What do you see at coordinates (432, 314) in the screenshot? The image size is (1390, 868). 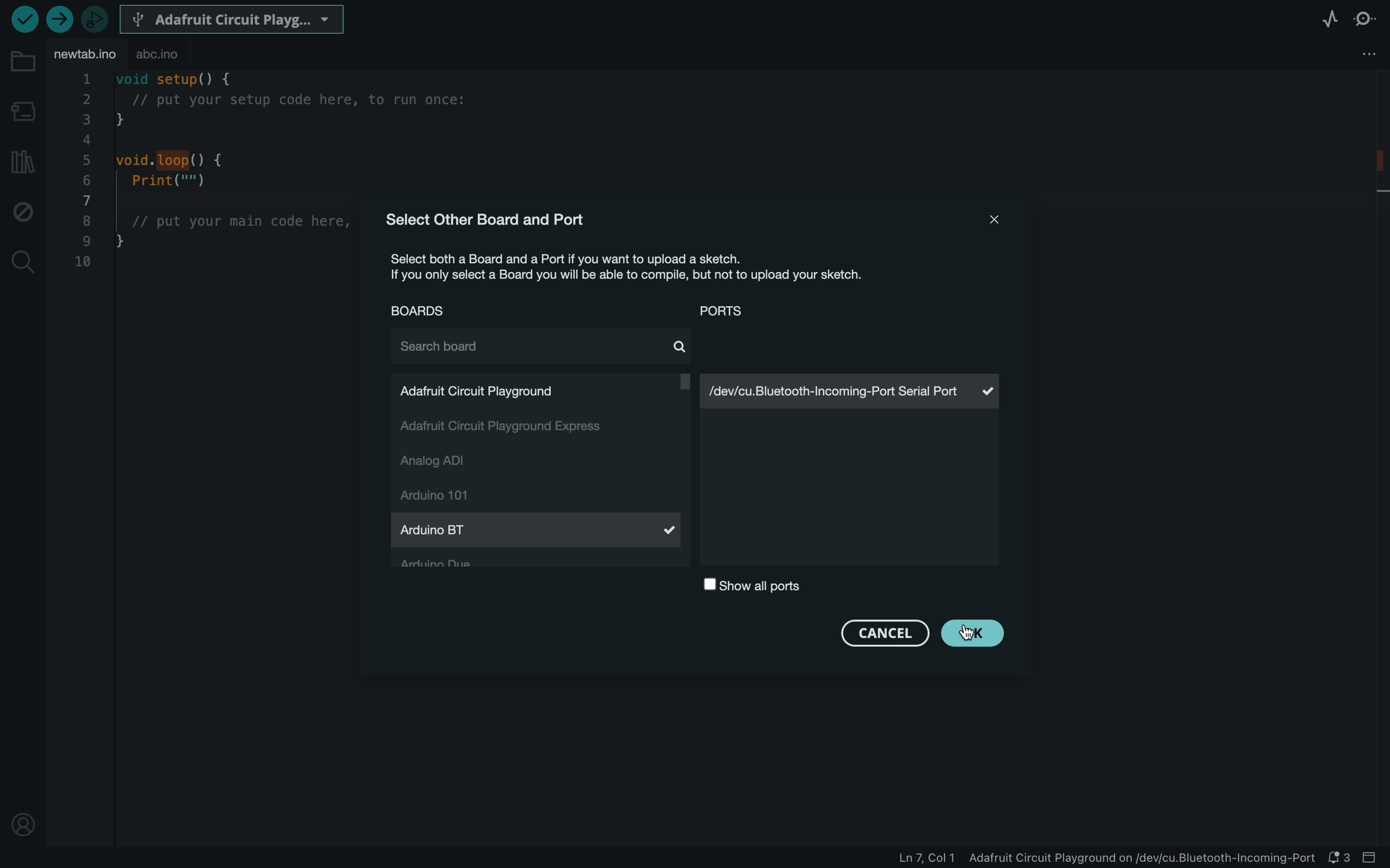 I see `boards` at bounding box center [432, 314].